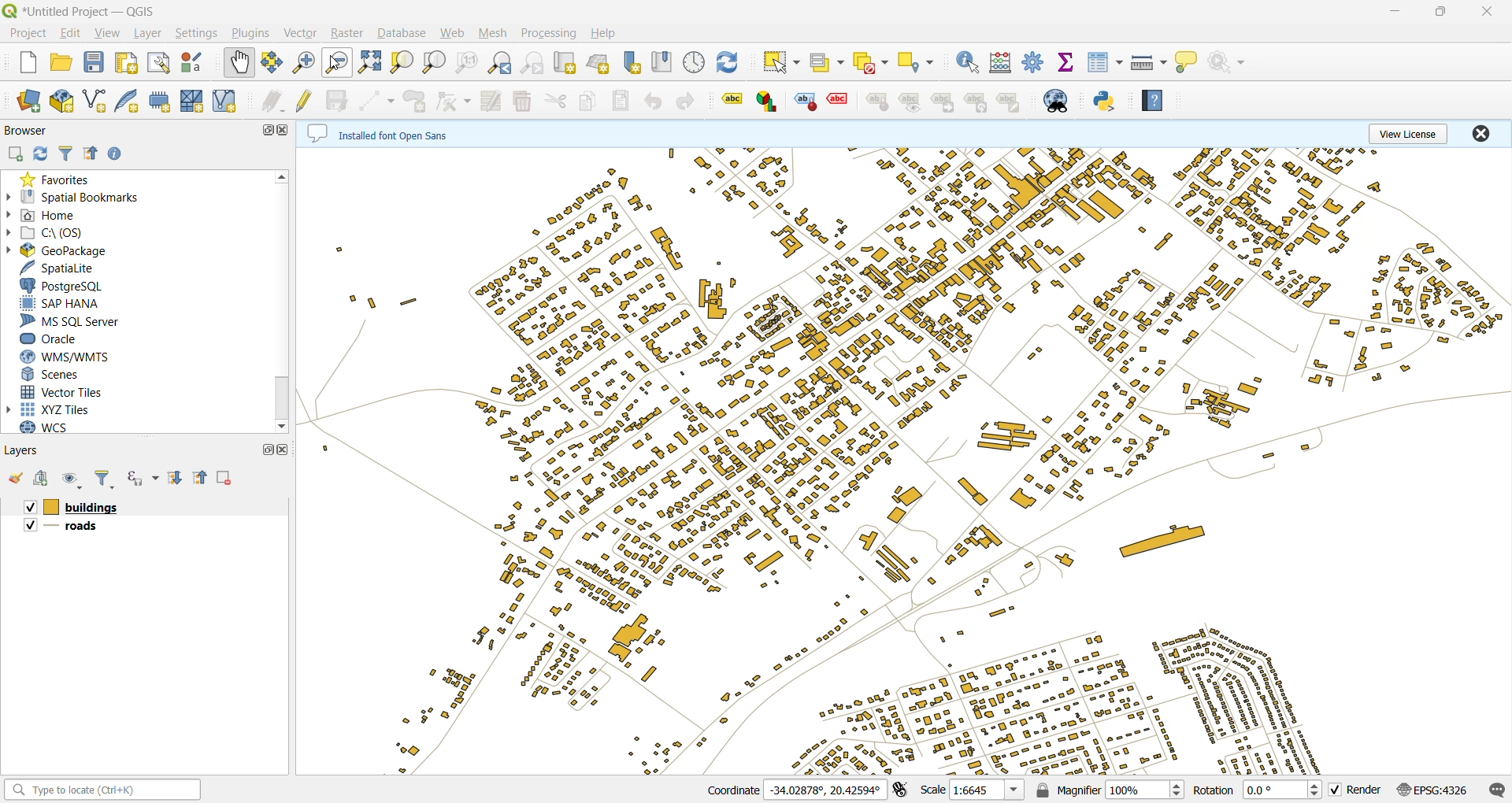 Image resolution: width=1512 pixels, height=803 pixels. I want to click on zoom full, so click(368, 64).